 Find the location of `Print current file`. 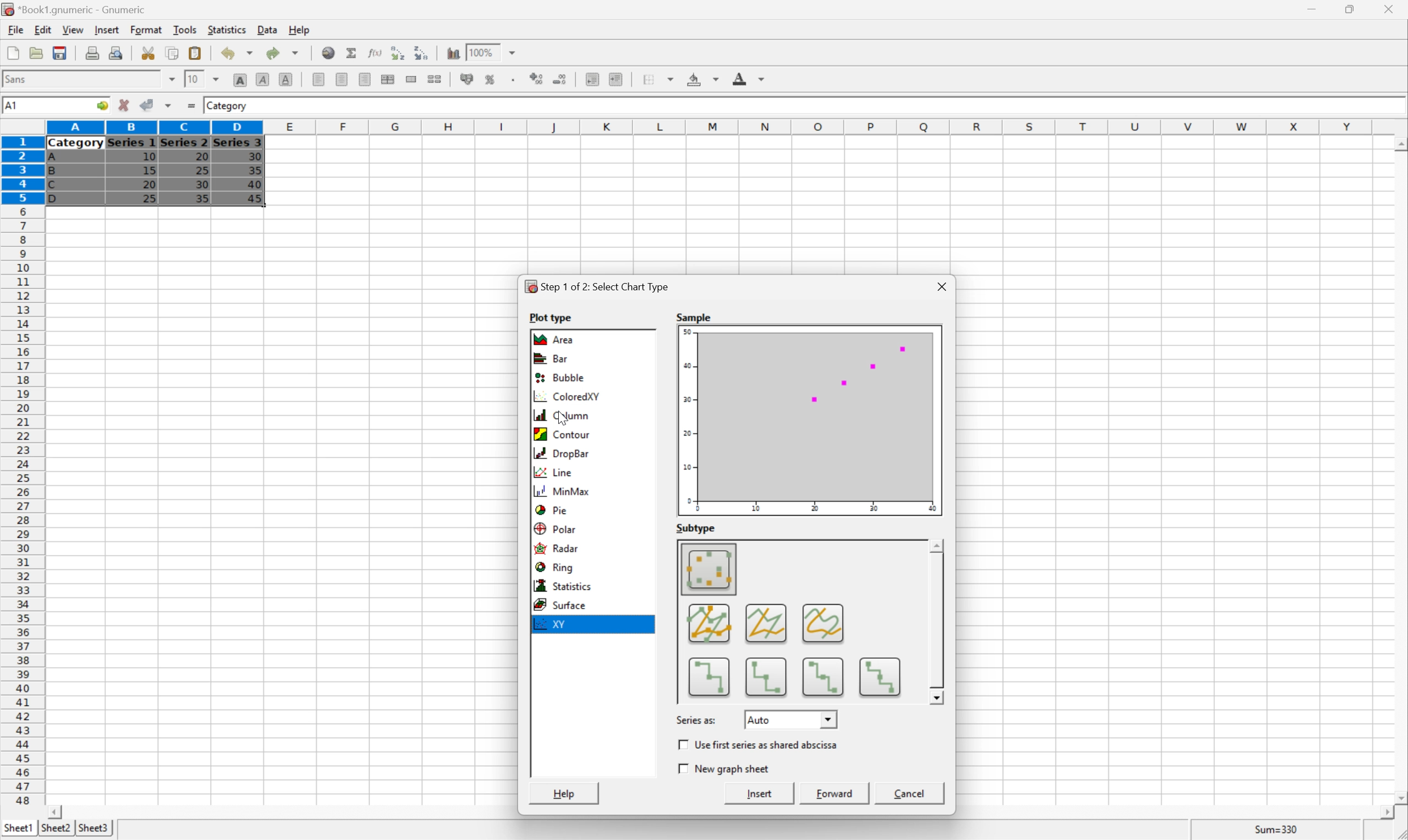

Print current file is located at coordinates (92, 54).